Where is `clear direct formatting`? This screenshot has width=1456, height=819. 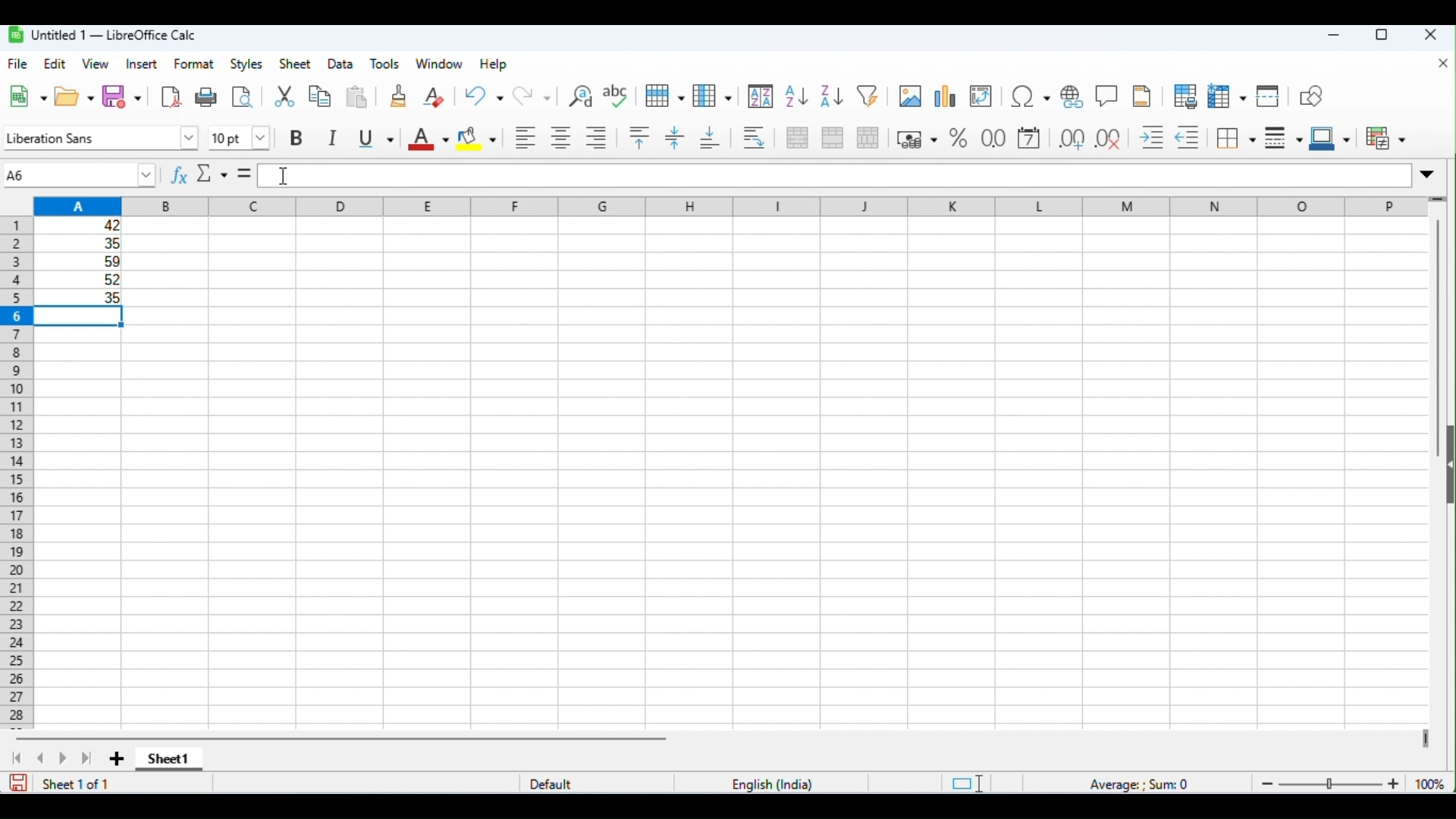
clear direct formatting is located at coordinates (433, 97).